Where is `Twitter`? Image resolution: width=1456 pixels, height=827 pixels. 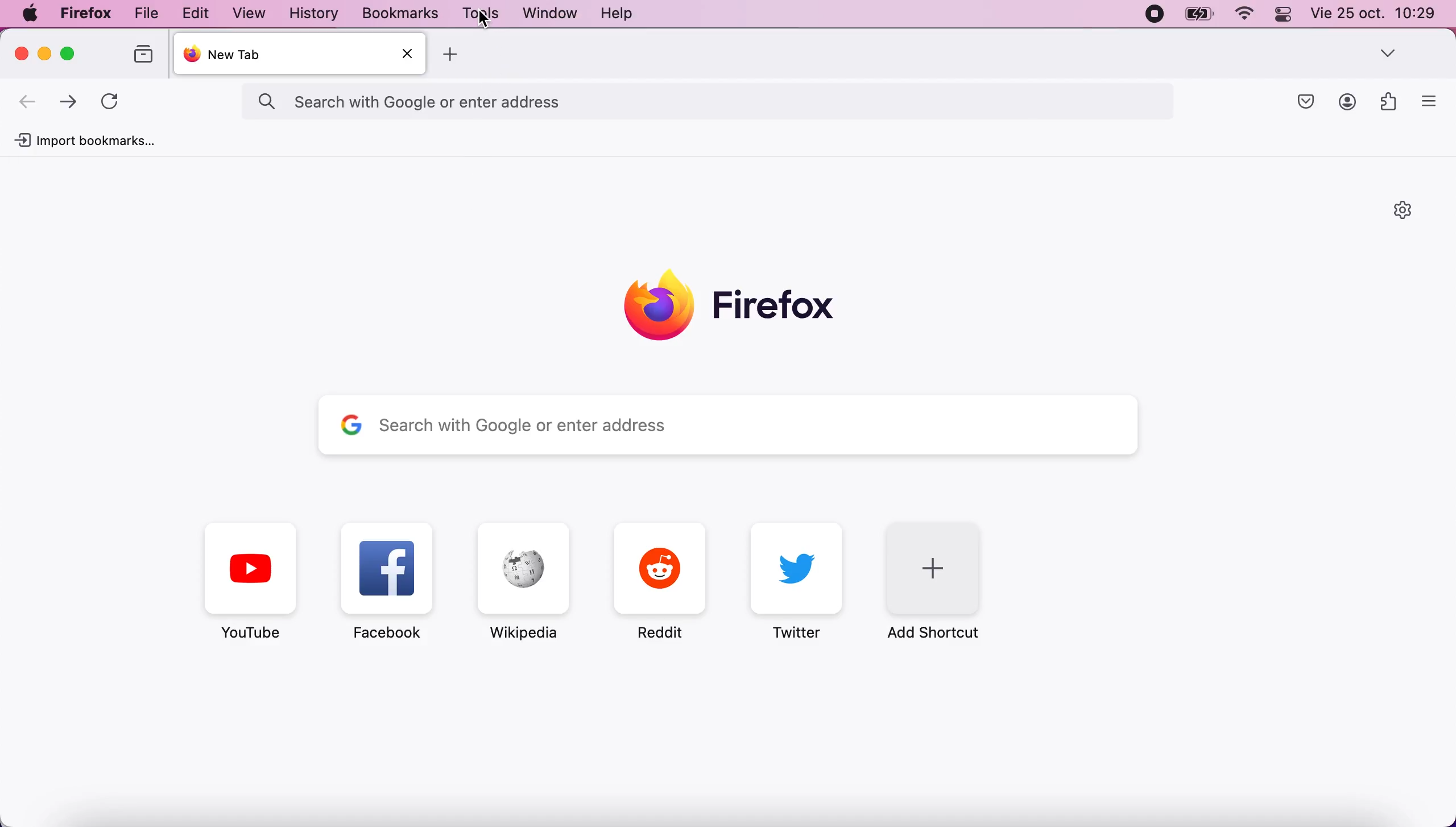
Twitter is located at coordinates (797, 581).